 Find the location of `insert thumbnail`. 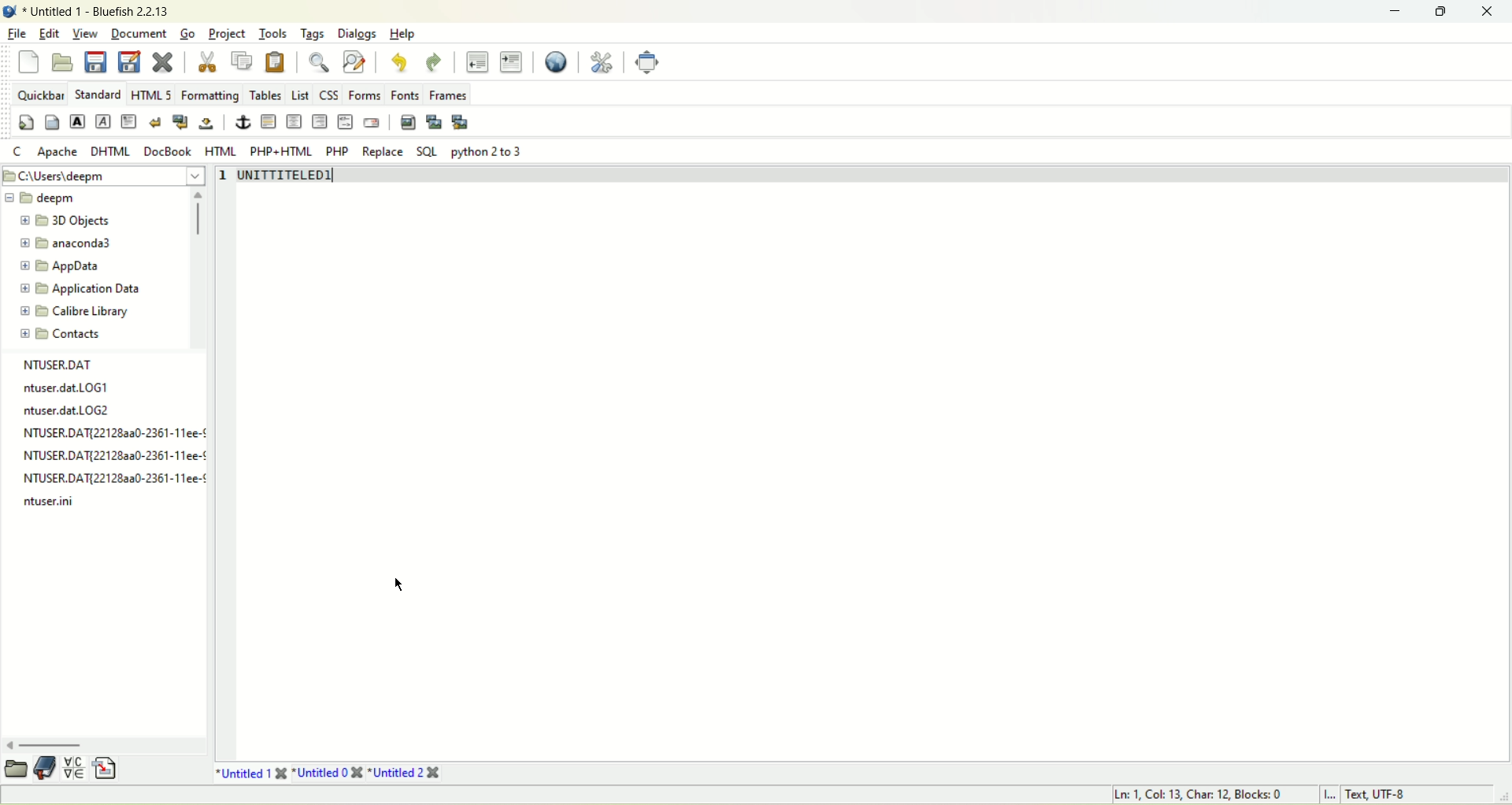

insert thumbnail is located at coordinates (435, 123).